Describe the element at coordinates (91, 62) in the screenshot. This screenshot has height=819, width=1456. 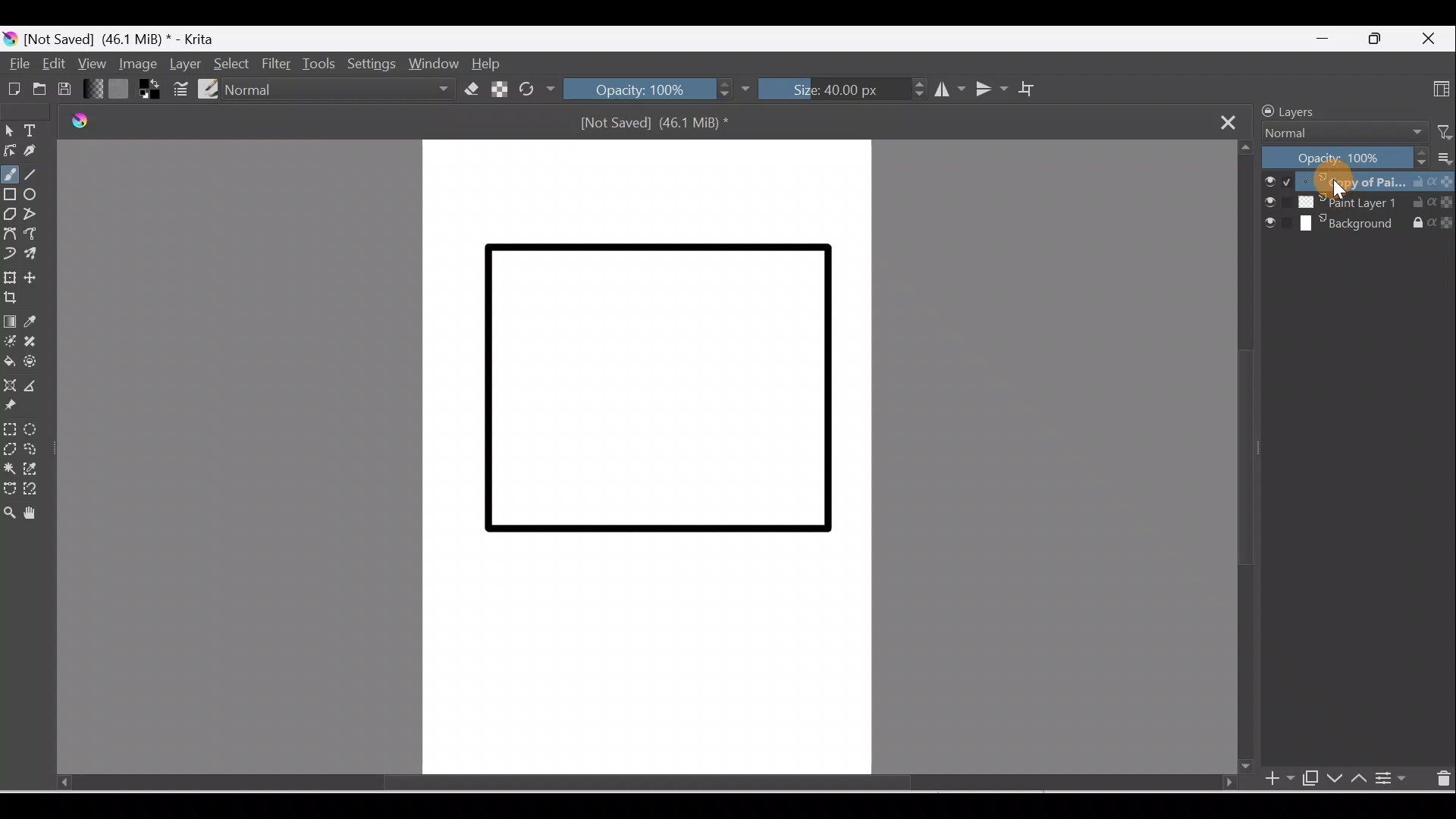
I see `View` at that location.